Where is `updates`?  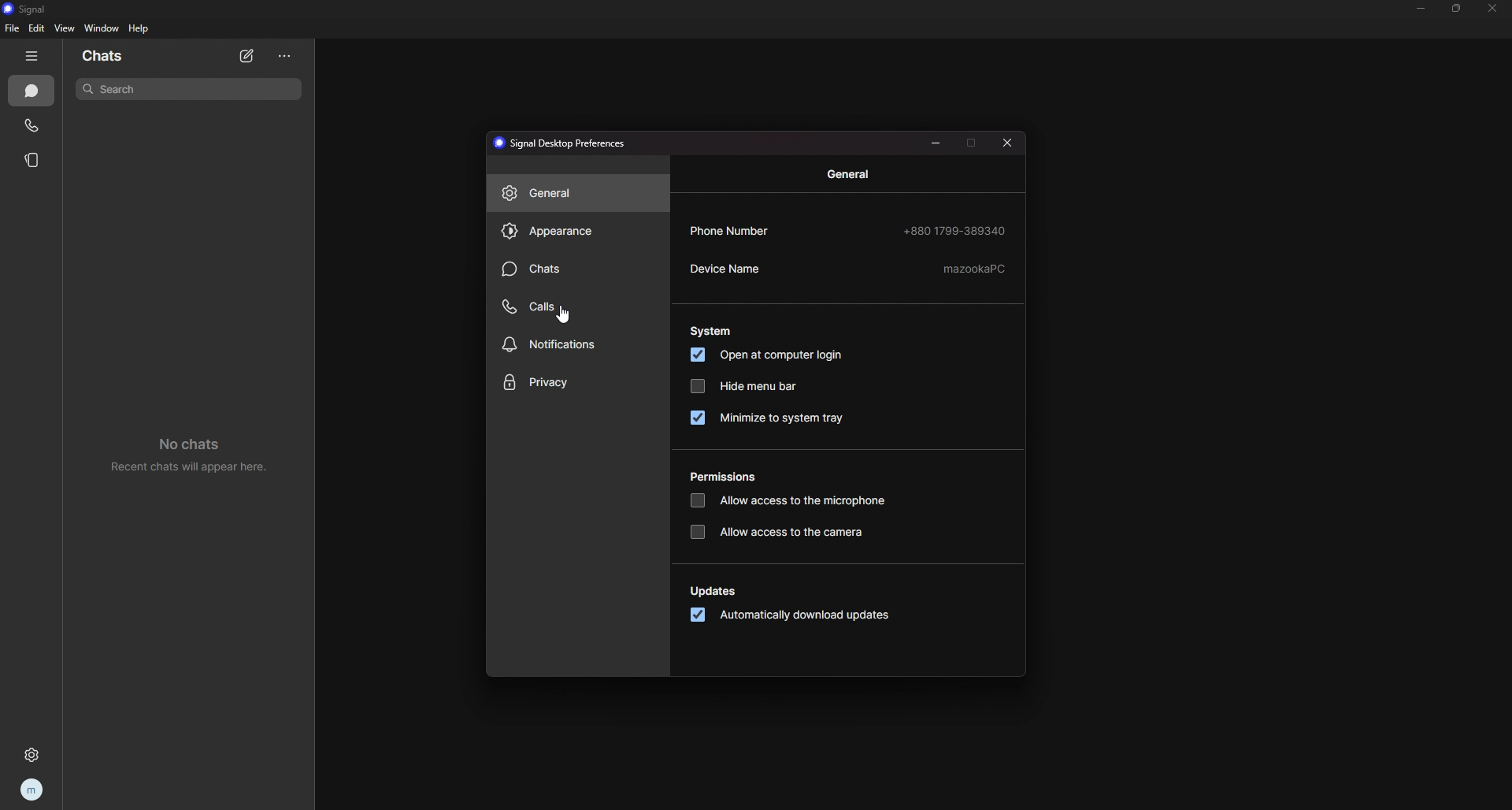
updates is located at coordinates (715, 591).